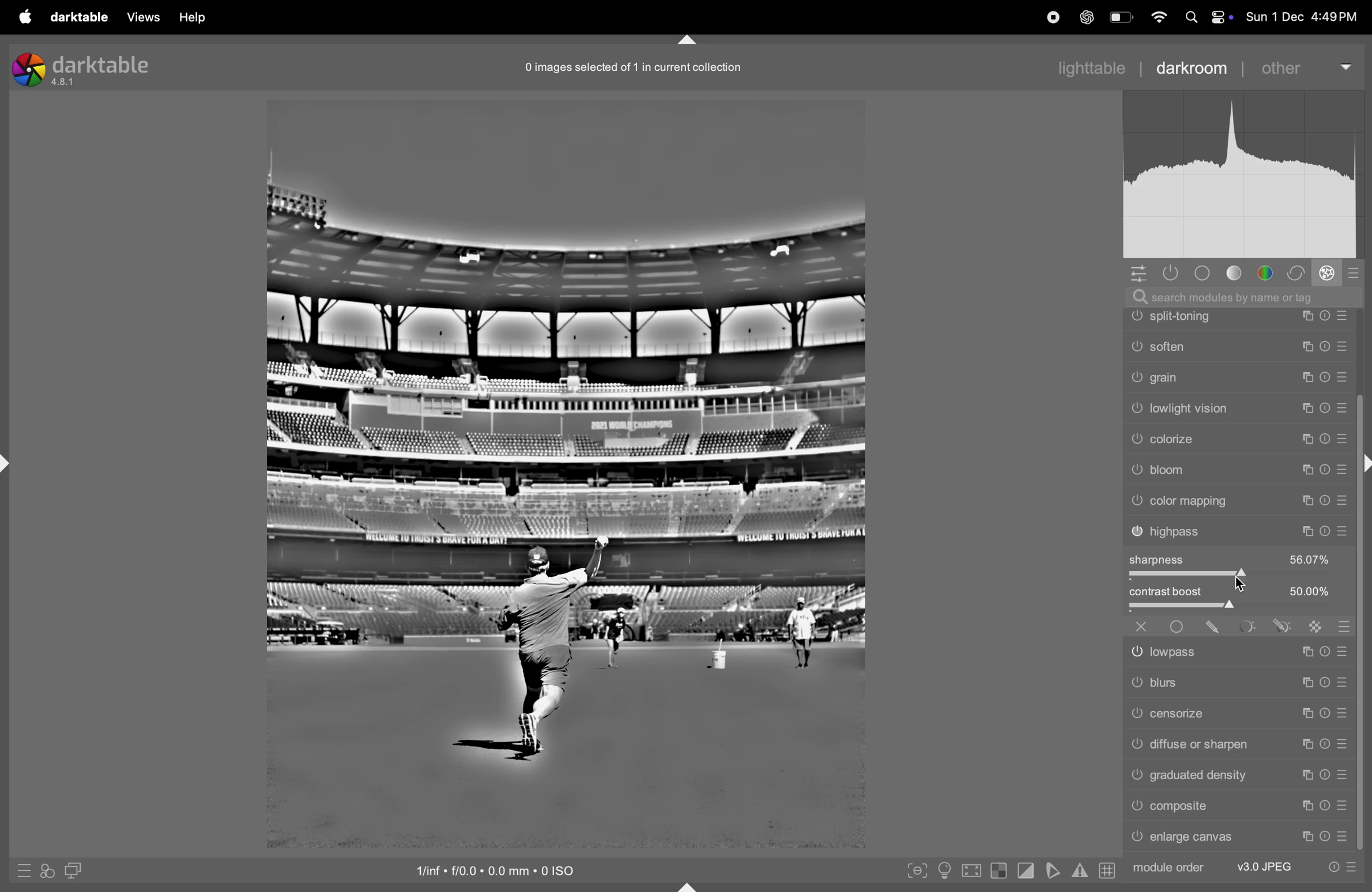  What do you see at coordinates (1091, 66) in the screenshot?
I see `lighttable` at bounding box center [1091, 66].